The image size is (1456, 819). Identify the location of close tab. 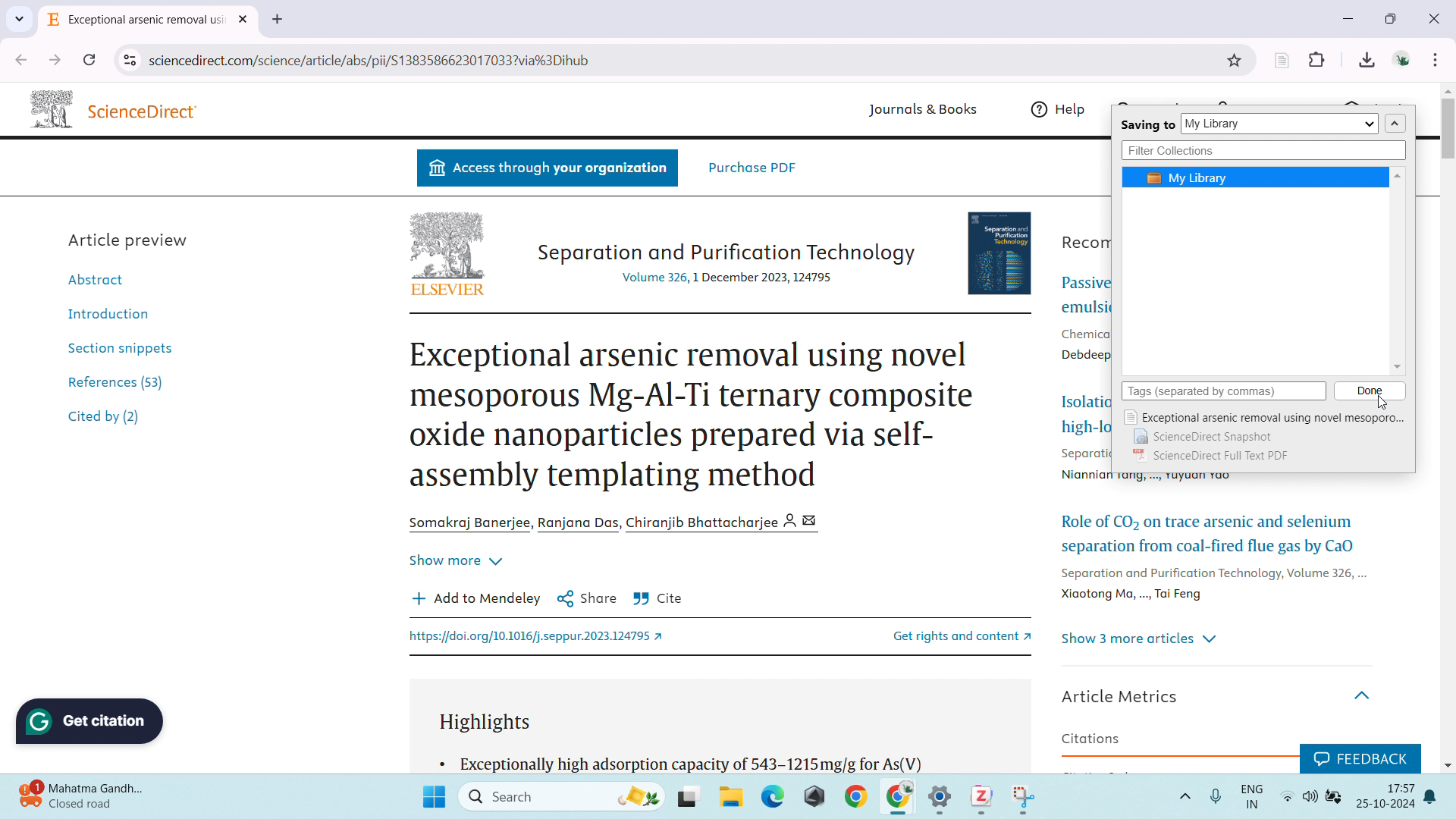
(245, 20).